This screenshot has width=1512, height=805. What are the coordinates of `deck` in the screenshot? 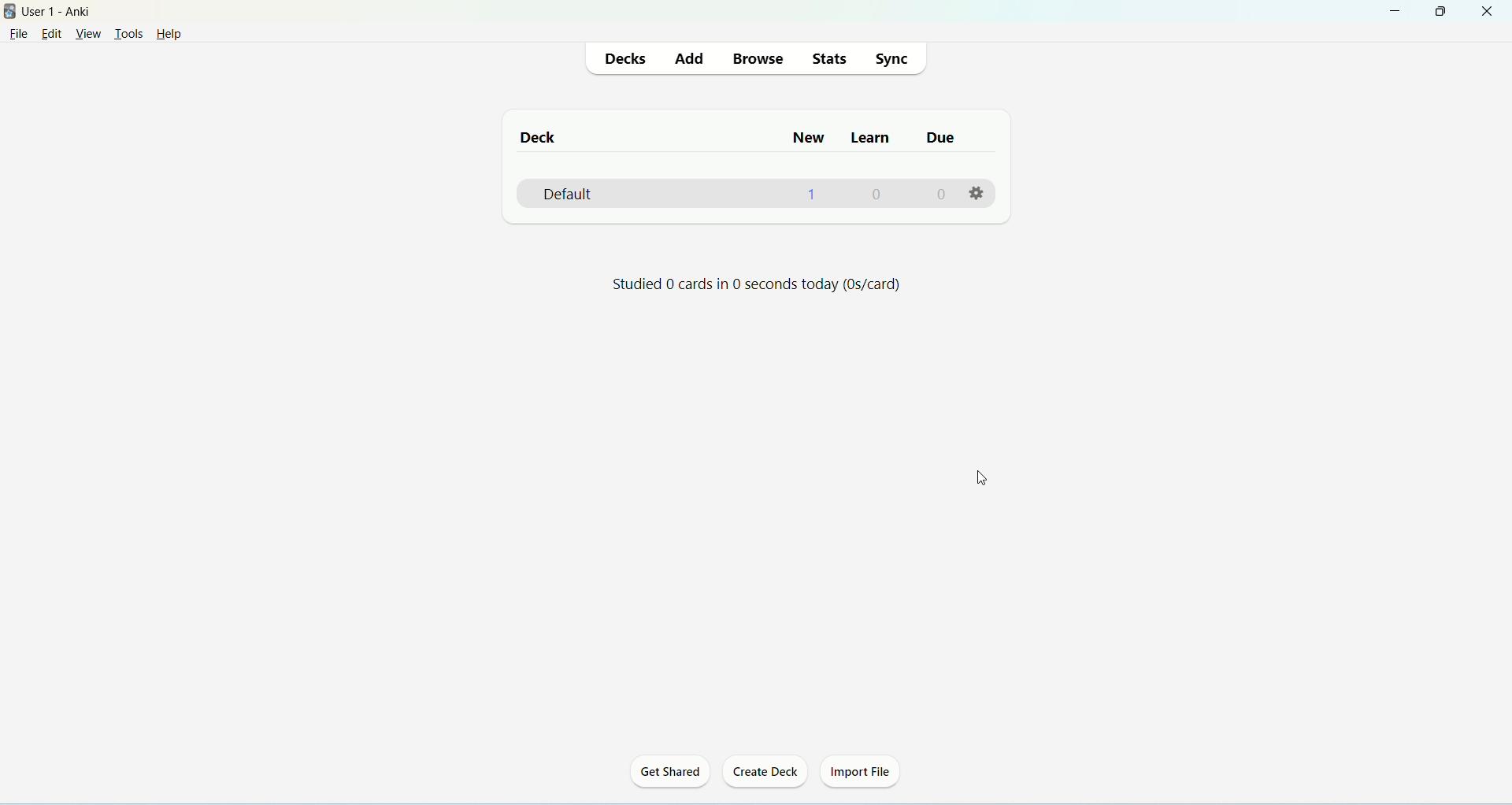 It's located at (545, 135).